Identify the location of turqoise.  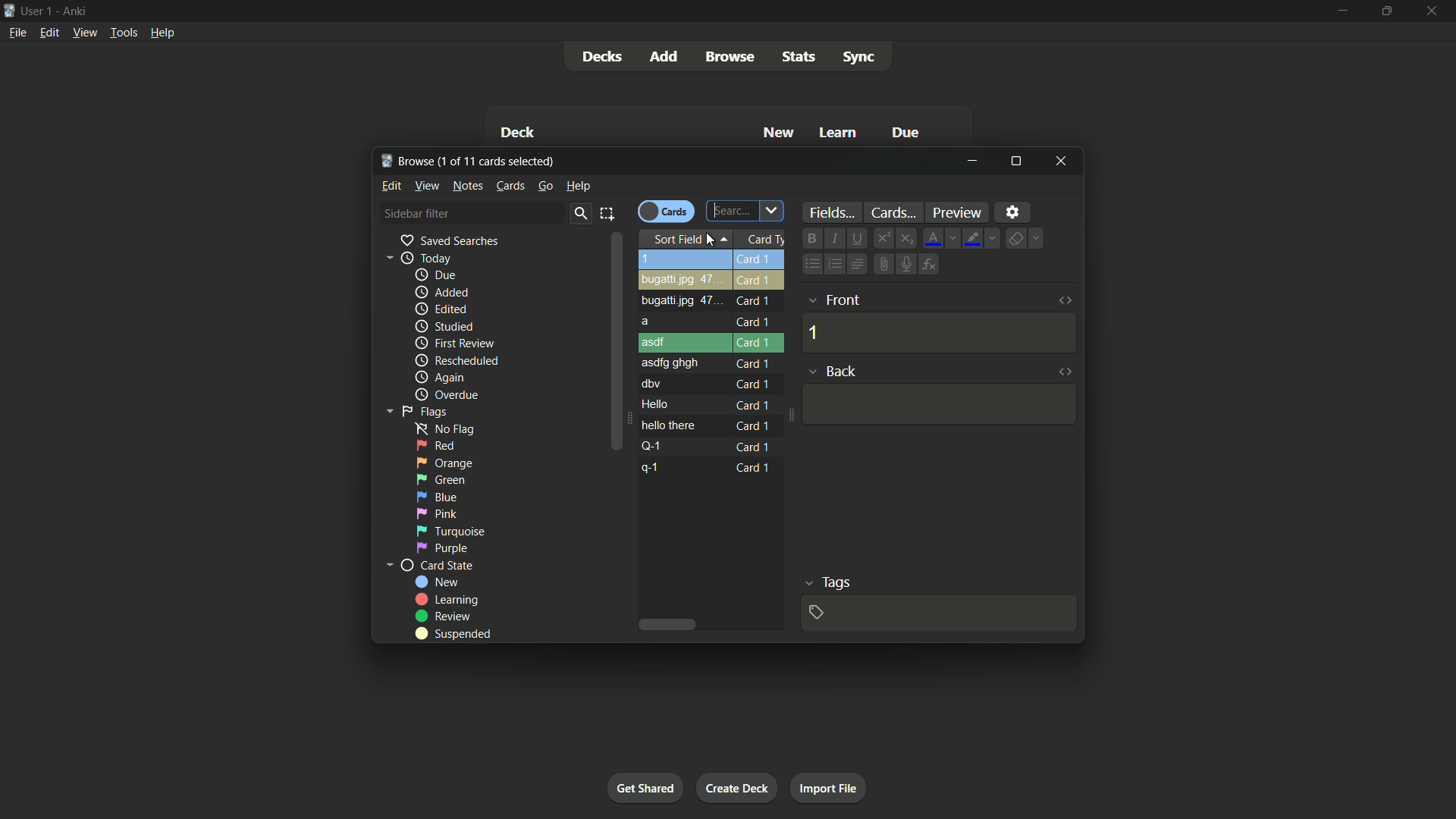
(449, 532).